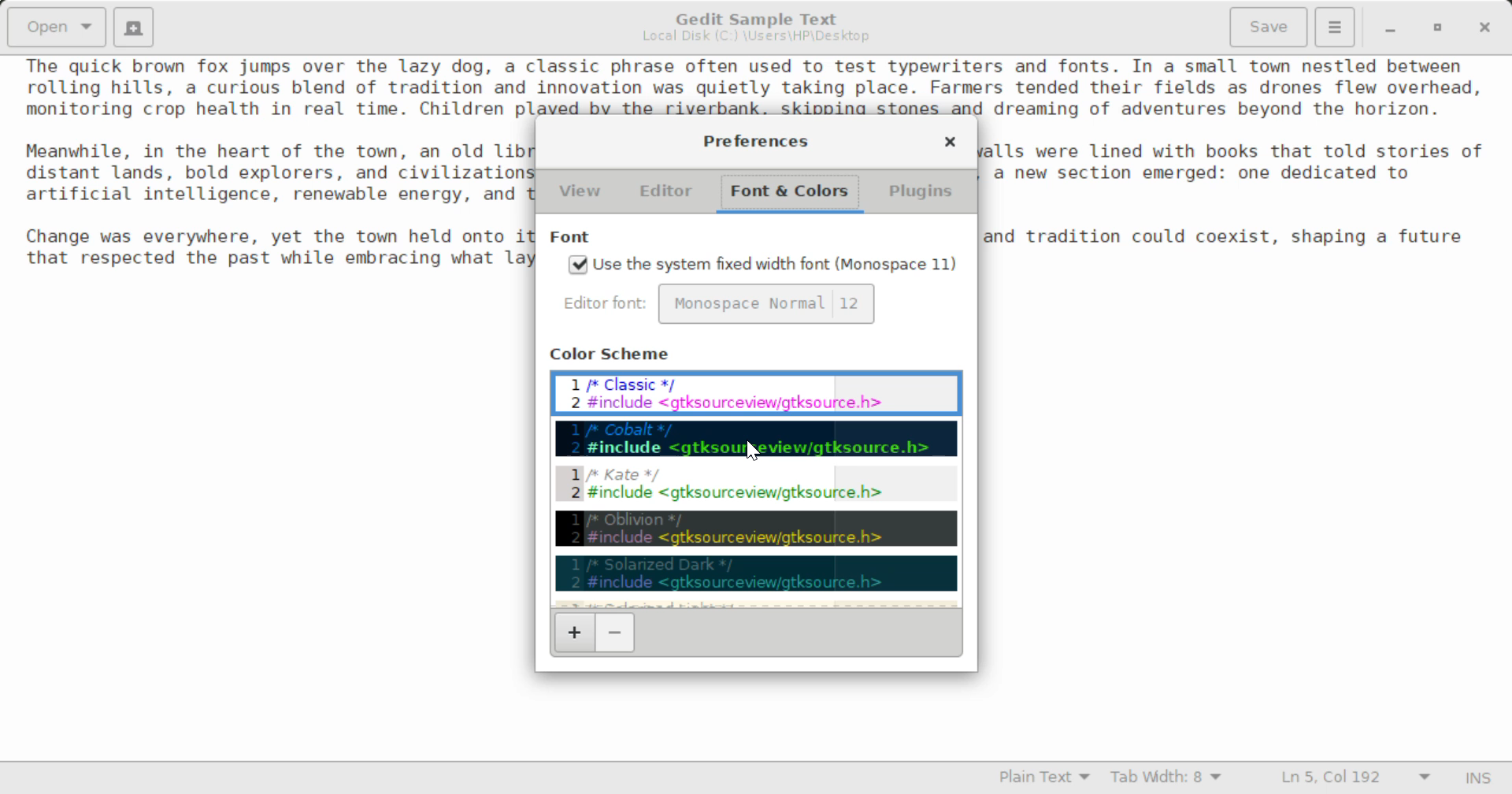 This screenshot has width=1512, height=794. Describe the element at coordinates (58, 27) in the screenshot. I see `Open Documents` at that location.